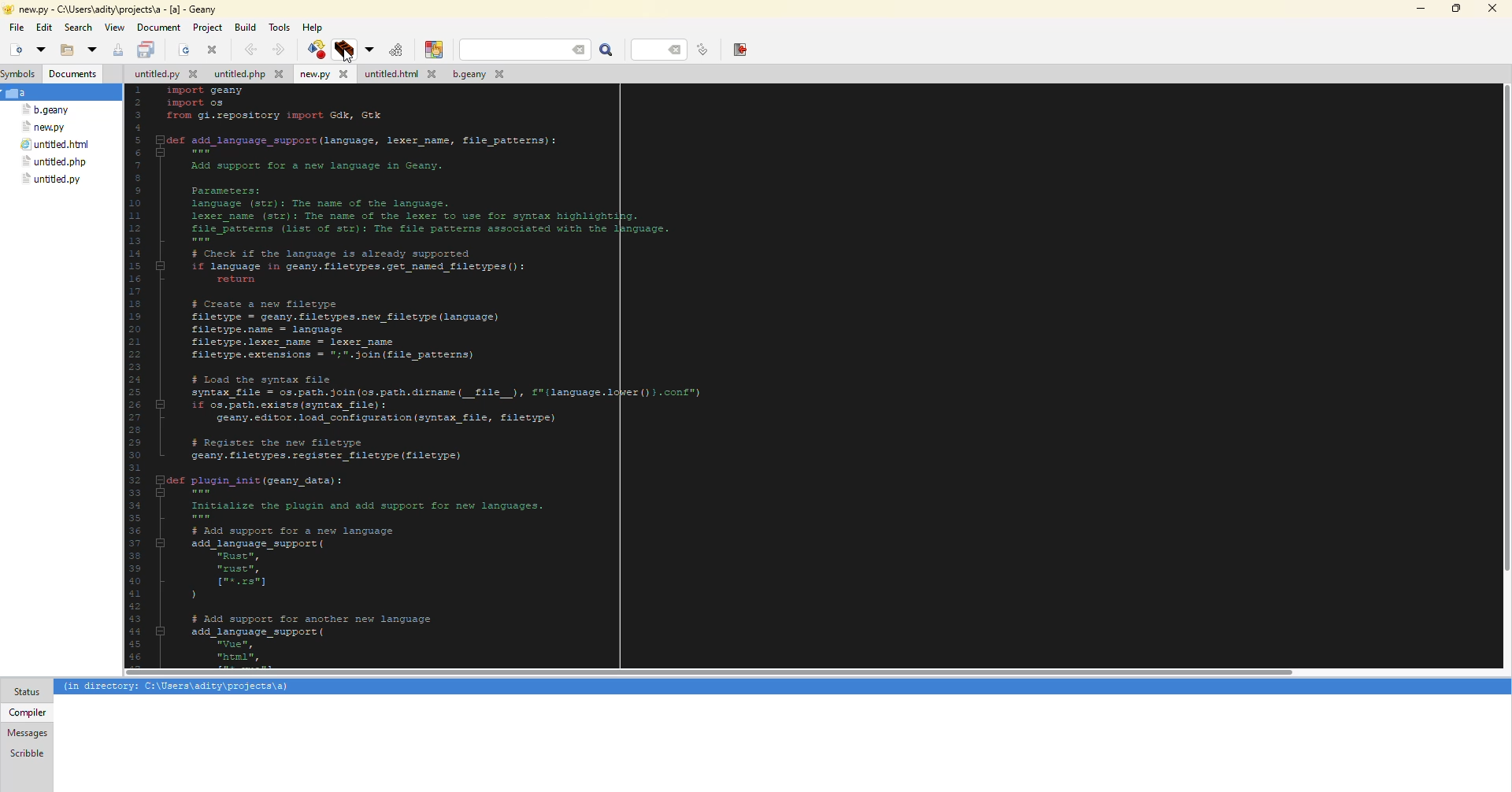 This screenshot has width=1512, height=792. What do you see at coordinates (435, 50) in the screenshot?
I see `color` at bounding box center [435, 50].